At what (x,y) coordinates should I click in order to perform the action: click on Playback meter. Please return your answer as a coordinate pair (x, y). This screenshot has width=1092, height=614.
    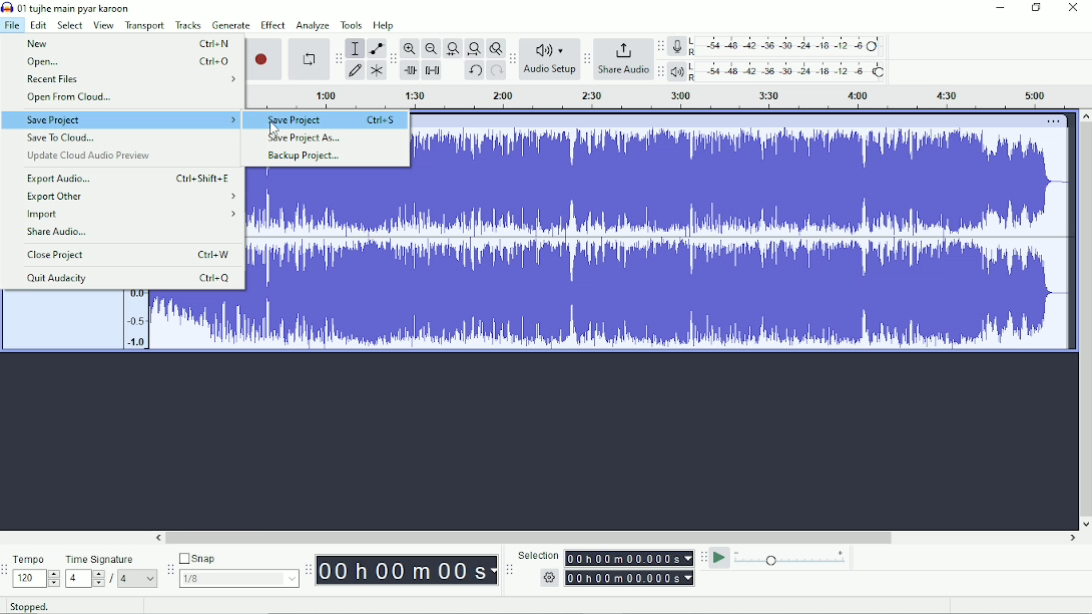
    Looking at the image, I should click on (781, 72).